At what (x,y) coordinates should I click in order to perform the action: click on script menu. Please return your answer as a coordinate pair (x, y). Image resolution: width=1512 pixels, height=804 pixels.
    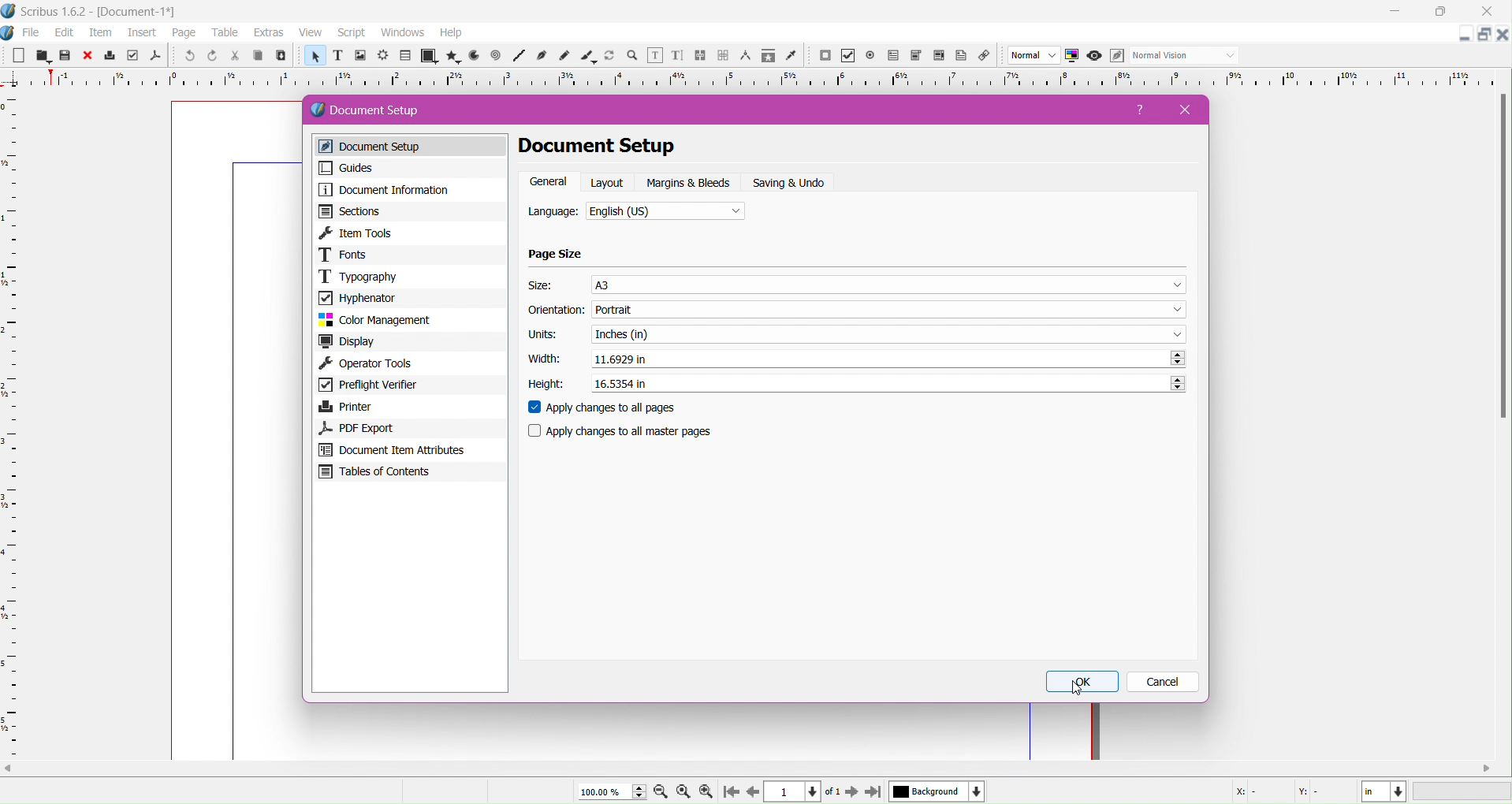
    Looking at the image, I should click on (353, 33).